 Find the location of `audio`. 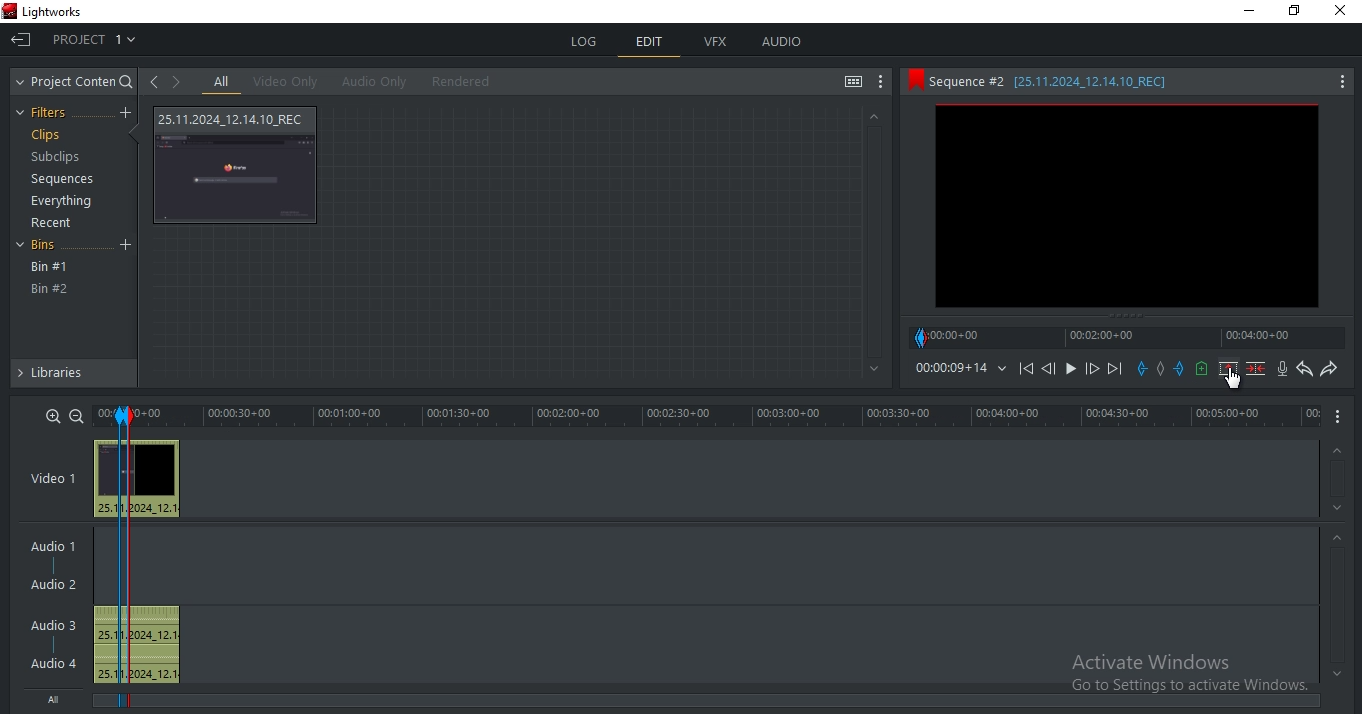

audio is located at coordinates (782, 43).